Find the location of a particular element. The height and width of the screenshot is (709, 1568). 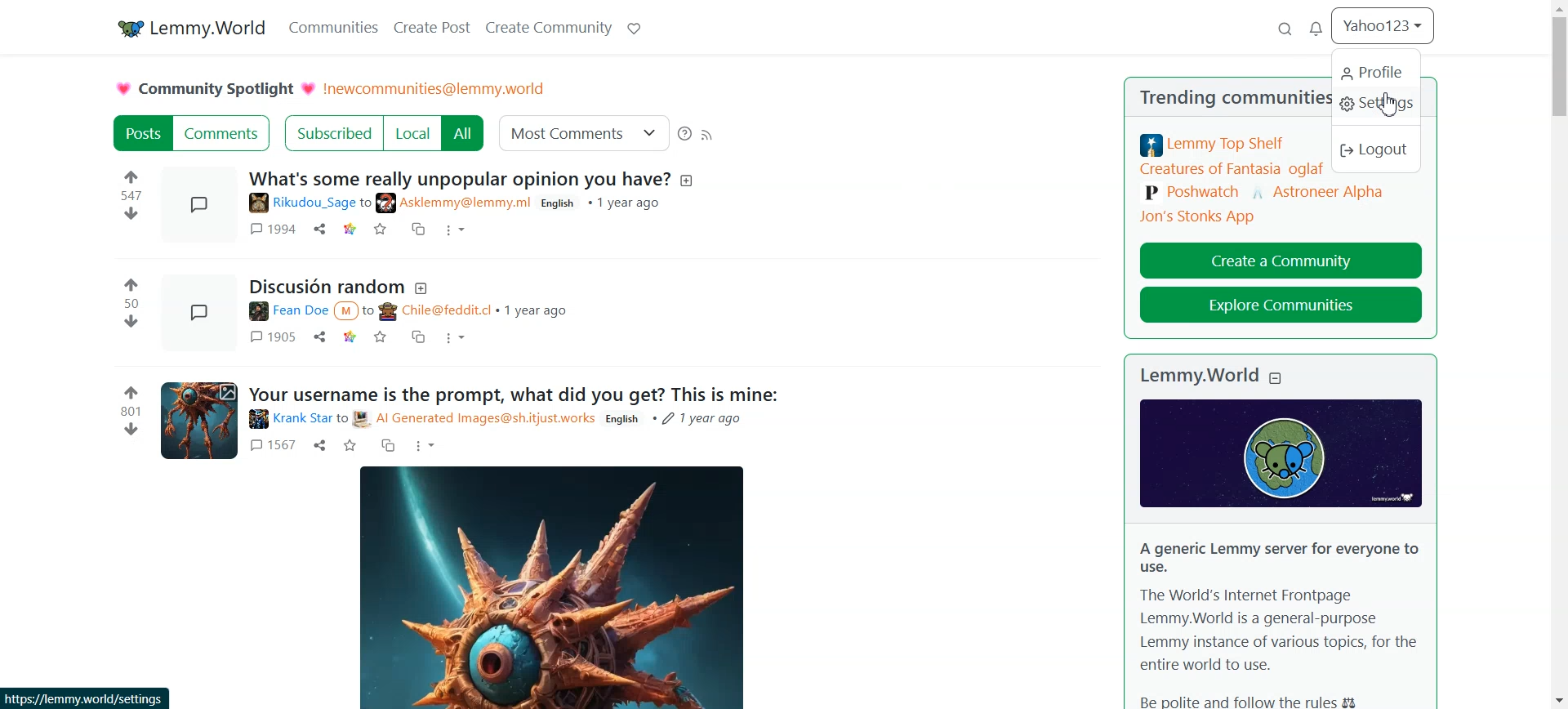

cross post is located at coordinates (421, 229).